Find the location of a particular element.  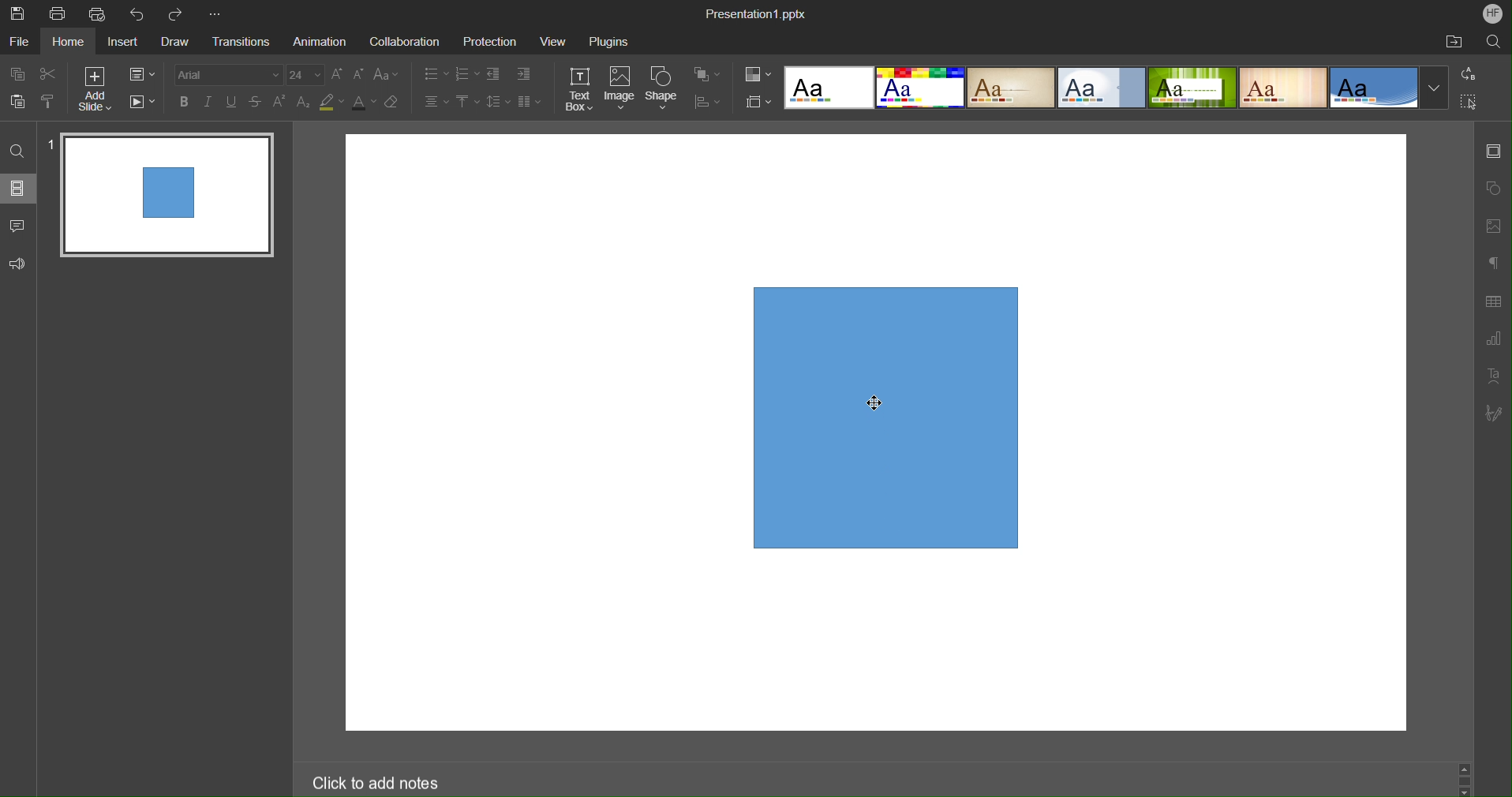

Decrease Indent is located at coordinates (494, 74).